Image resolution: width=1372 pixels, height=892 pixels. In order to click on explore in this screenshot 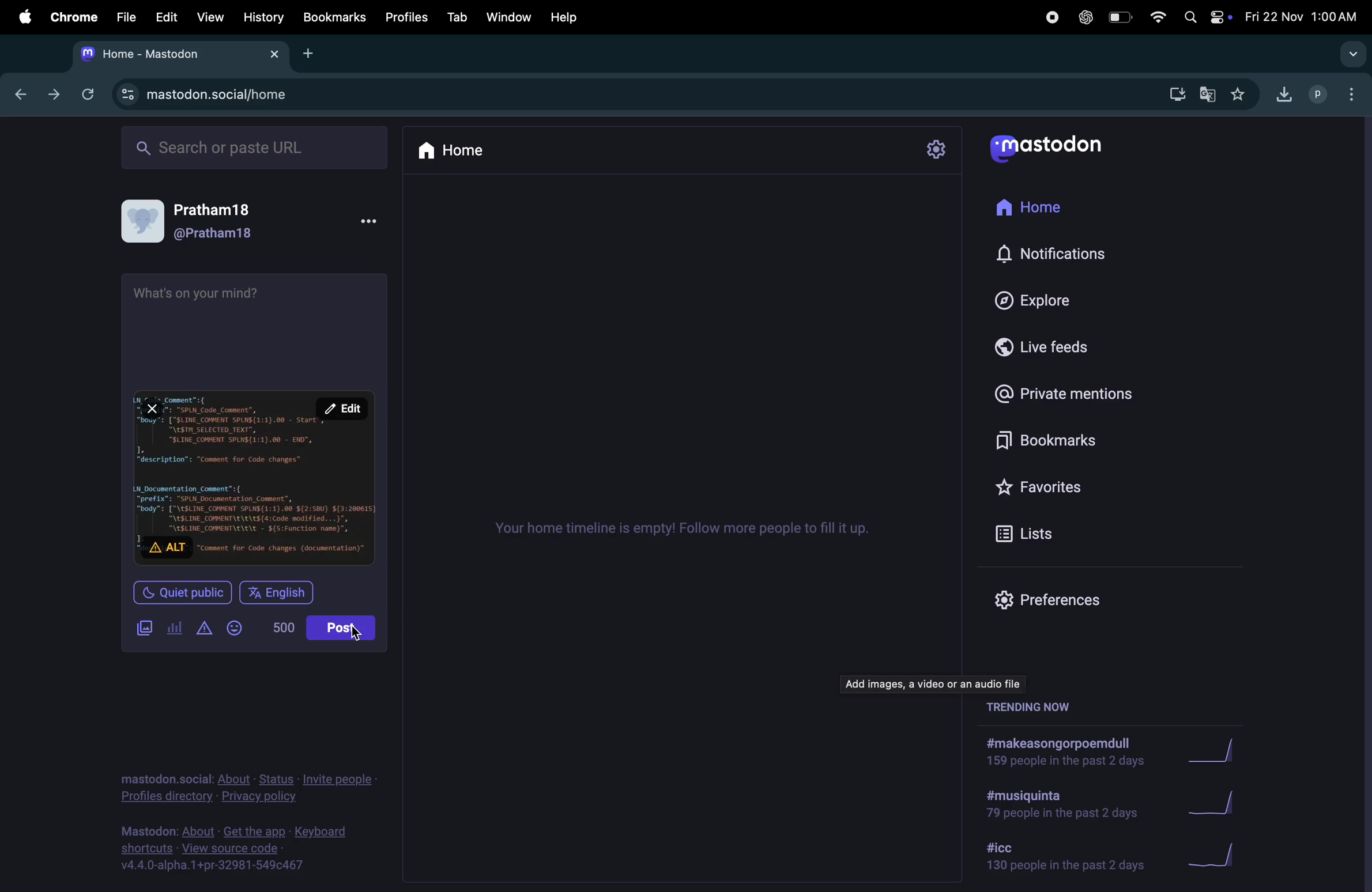, I will do `click(1046, 299)`.